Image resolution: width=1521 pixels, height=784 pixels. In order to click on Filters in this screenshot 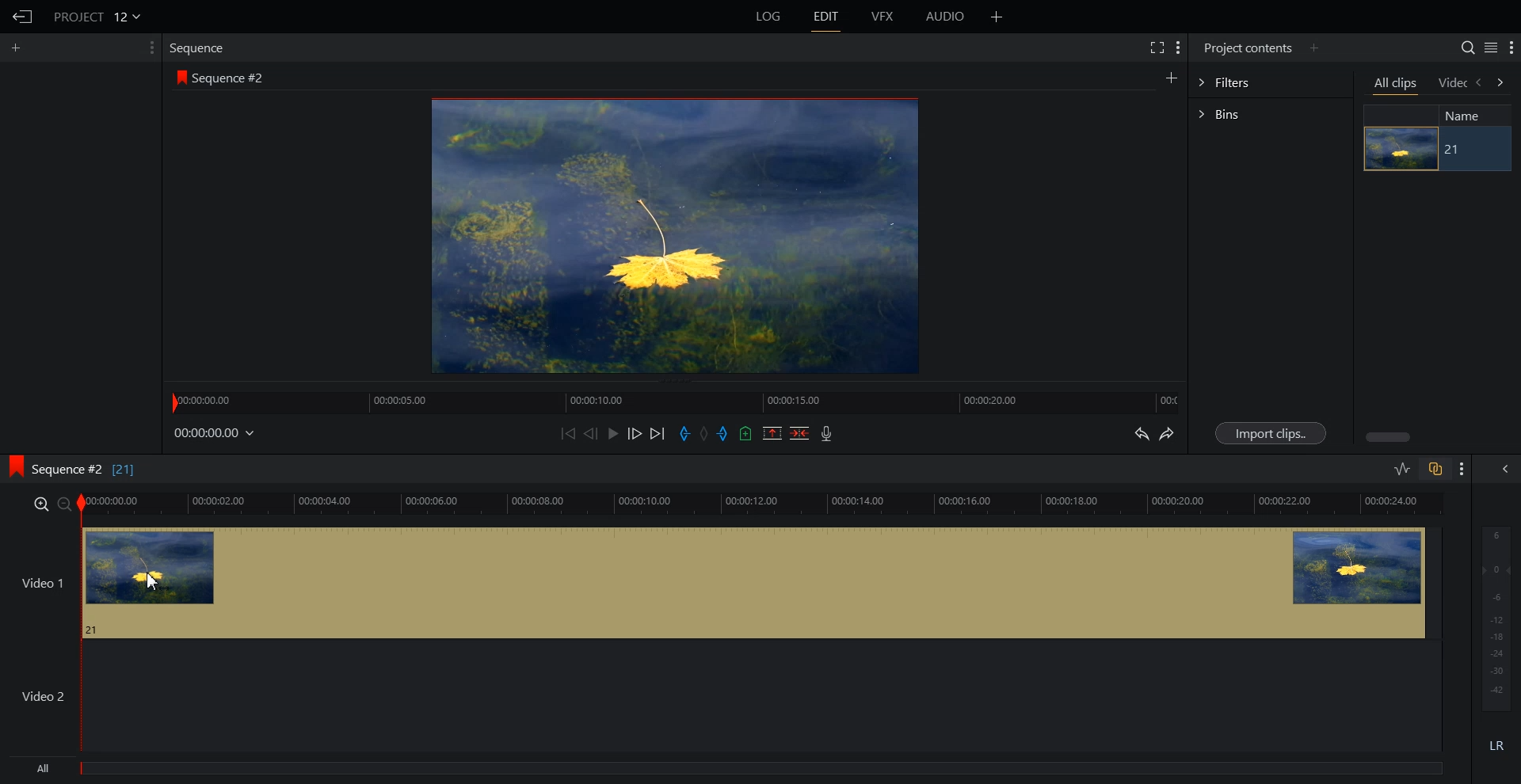, I will do `click(1271, 83)`.